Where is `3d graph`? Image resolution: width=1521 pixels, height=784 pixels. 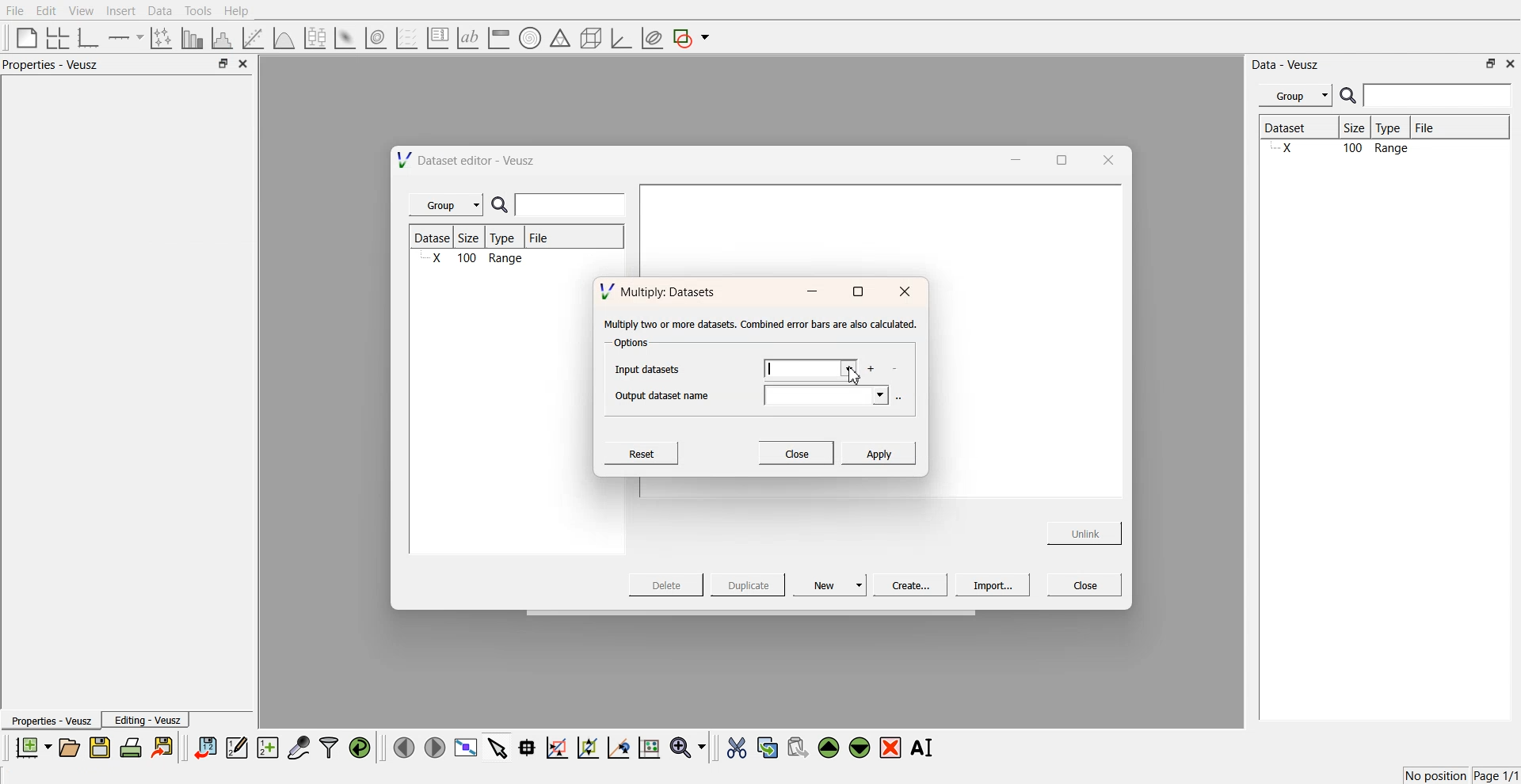 3d graph is located at coordinates (620, 39).